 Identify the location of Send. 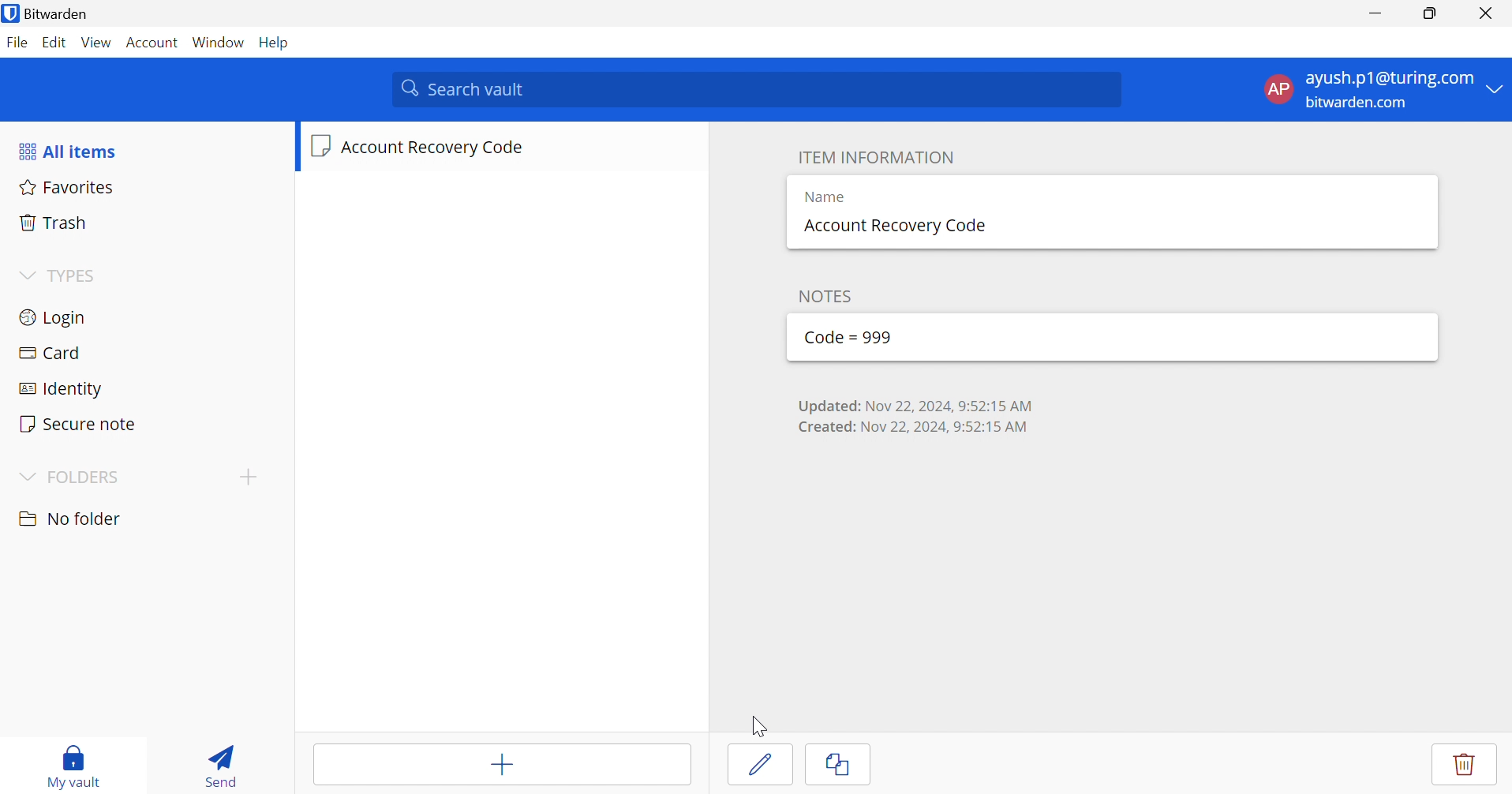
(219, 769).